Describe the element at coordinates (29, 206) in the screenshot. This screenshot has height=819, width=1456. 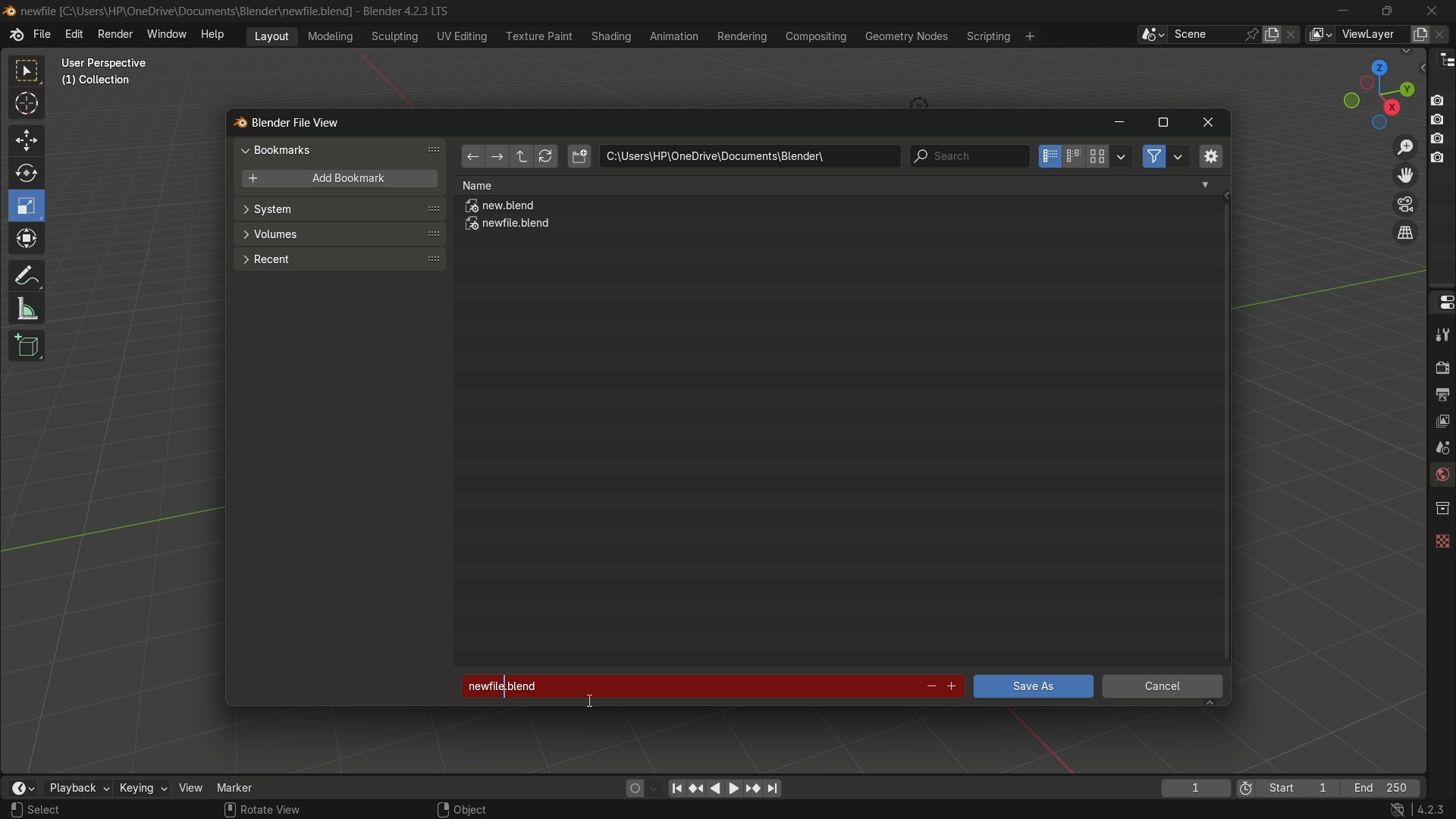
I see `scale` at that location.